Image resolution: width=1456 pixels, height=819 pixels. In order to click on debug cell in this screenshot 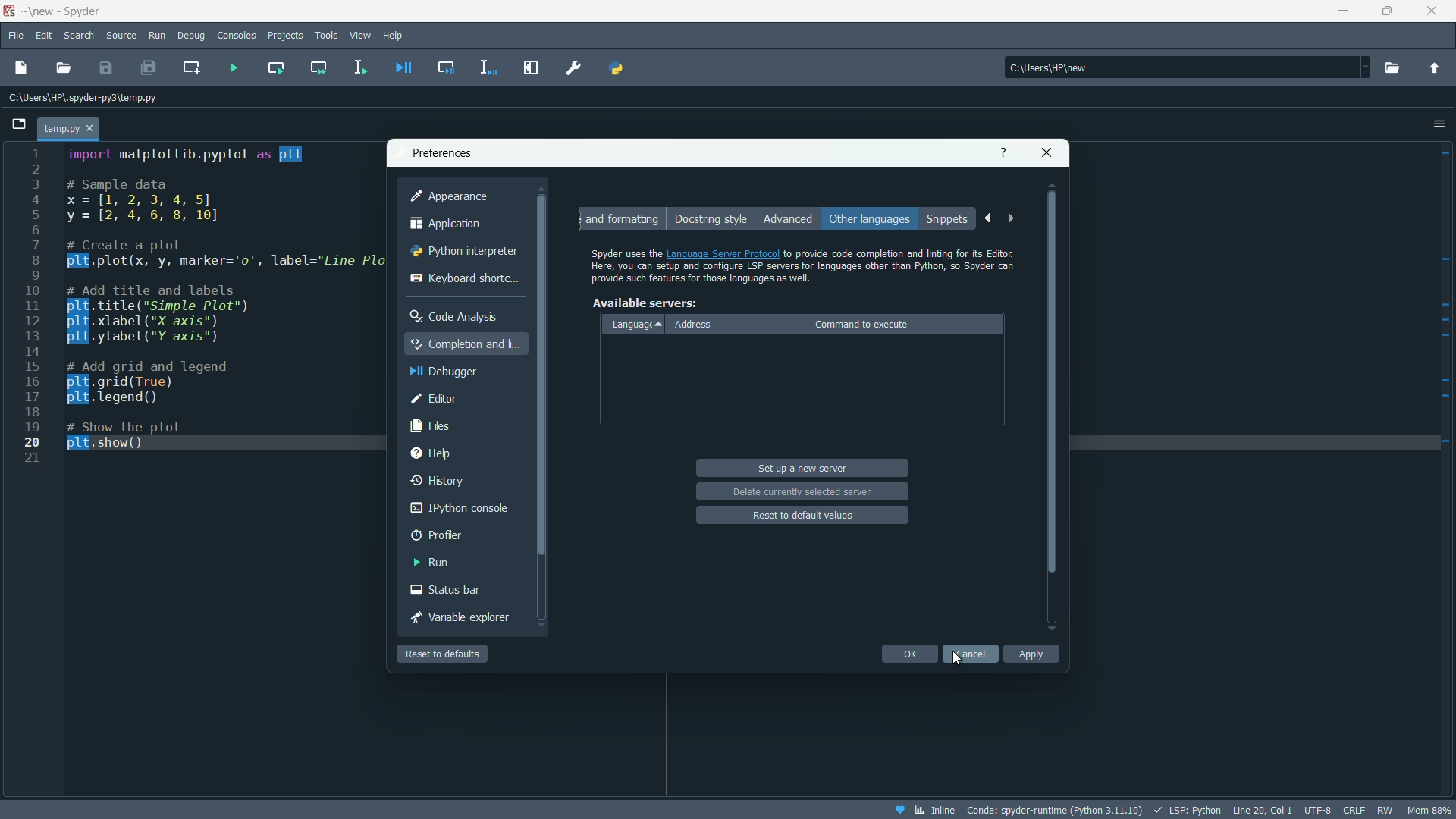, I will do `click(445, 66)`.